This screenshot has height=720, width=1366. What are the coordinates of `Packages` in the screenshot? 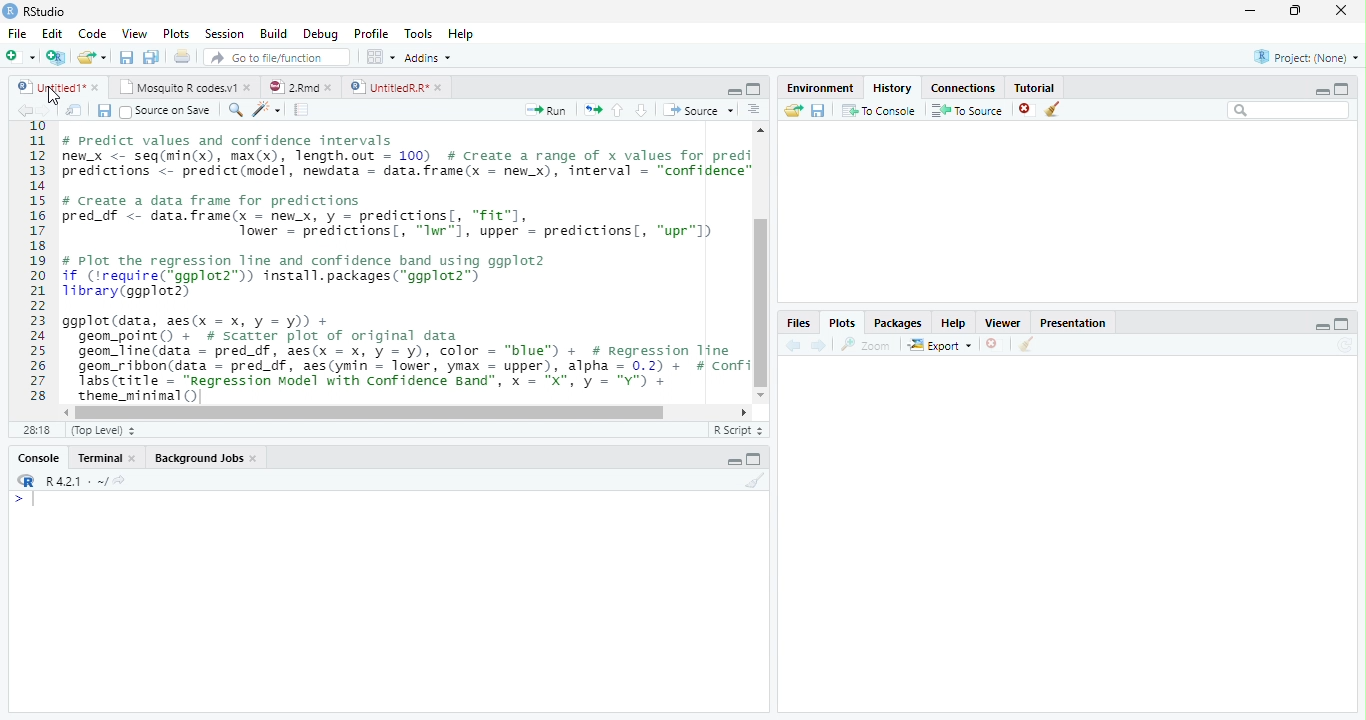 It's located at (896, 320).